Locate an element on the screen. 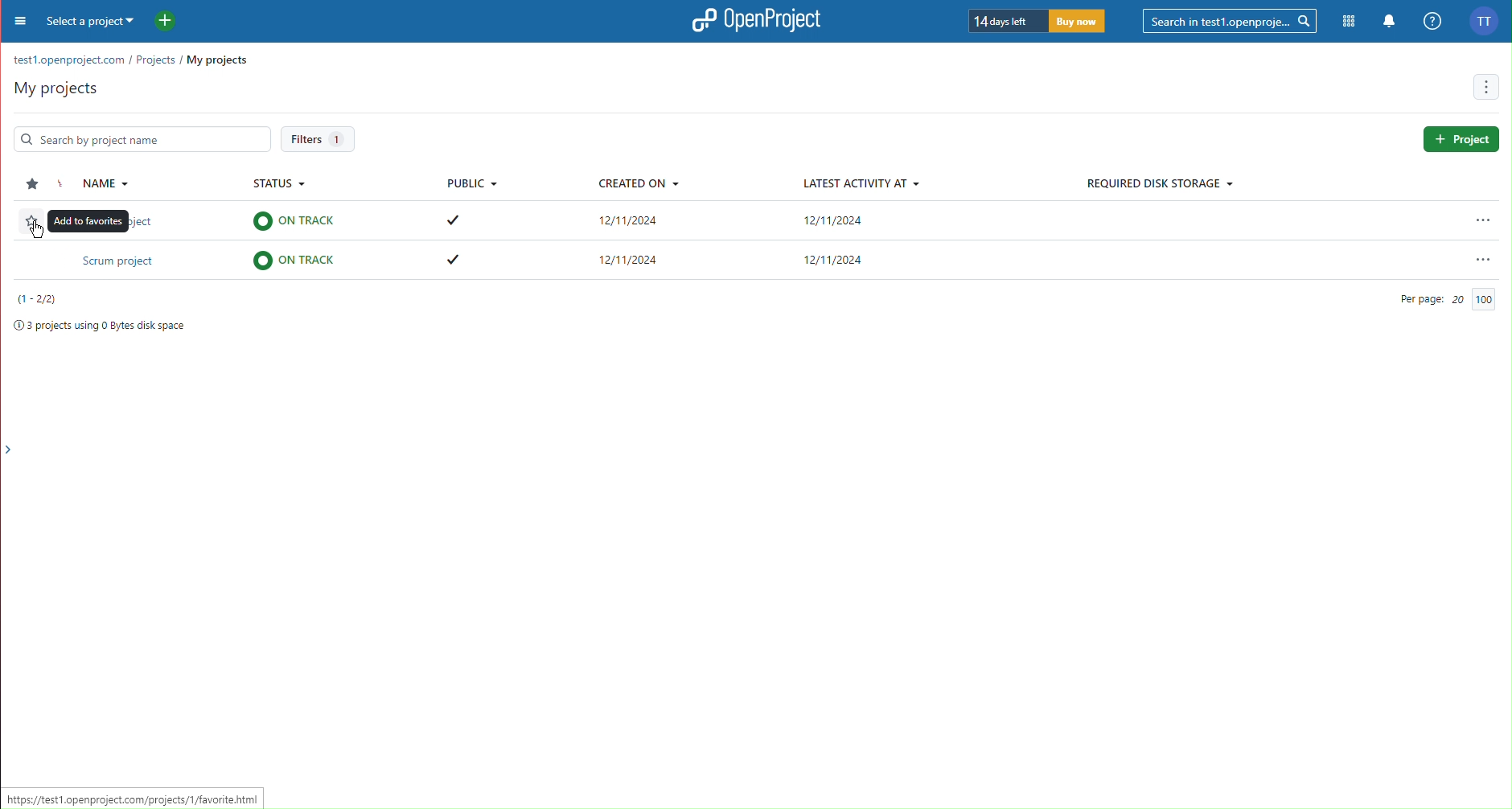  File location is located at coordinates (129, 61).